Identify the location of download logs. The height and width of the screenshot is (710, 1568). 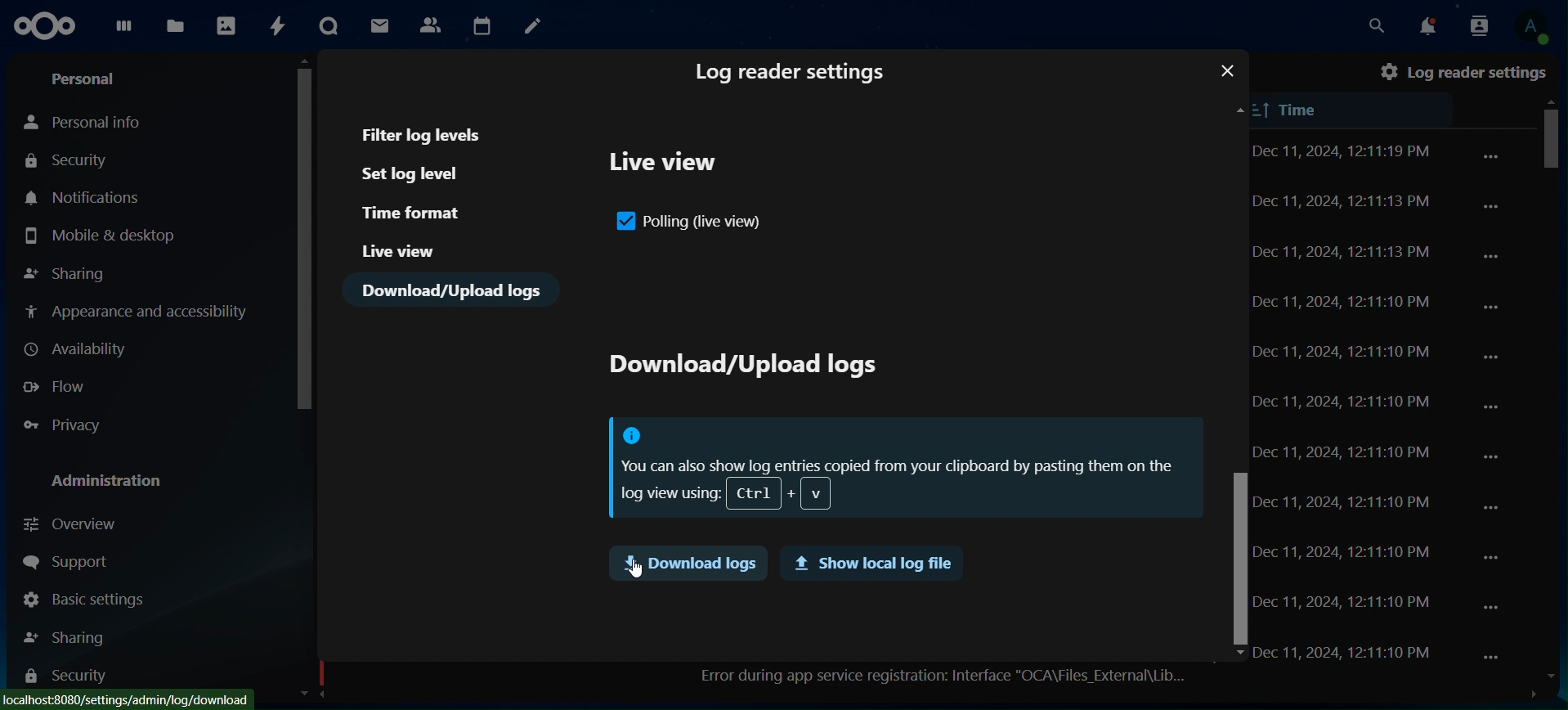
(687, 563).